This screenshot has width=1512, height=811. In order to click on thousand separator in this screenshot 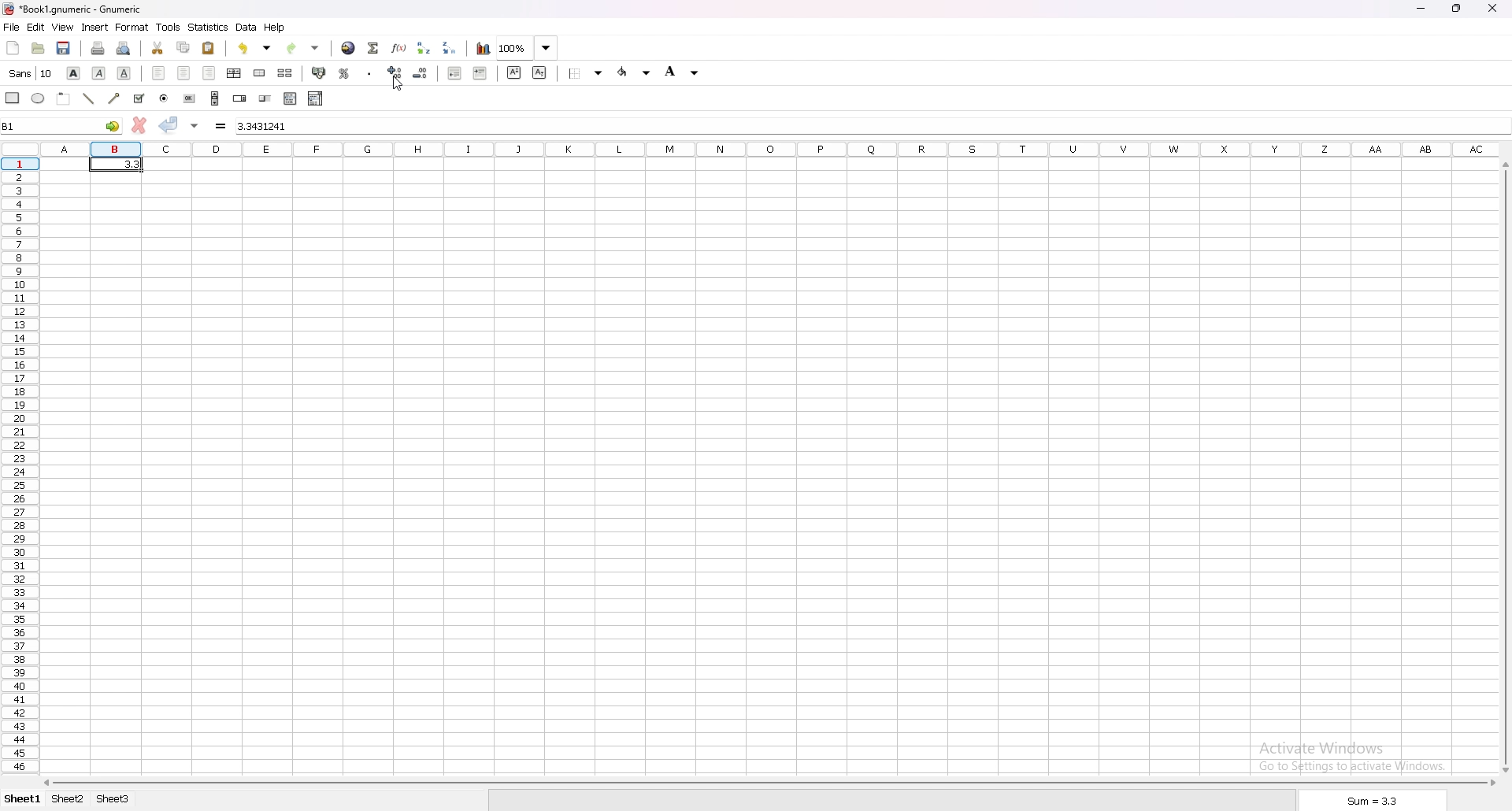, I will do `click(368, 72)`.